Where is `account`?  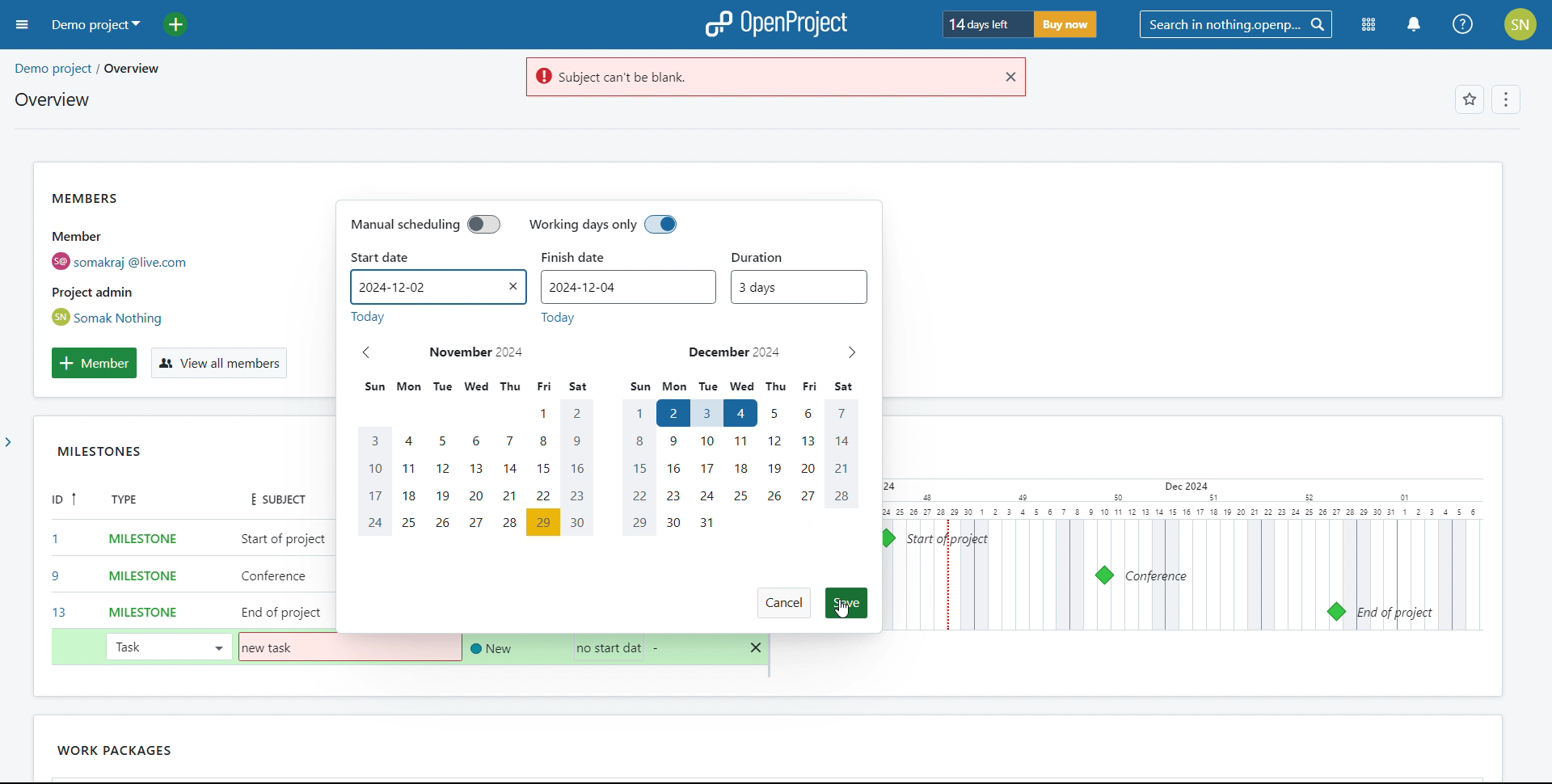
account is located at coordinates (1521, 24).